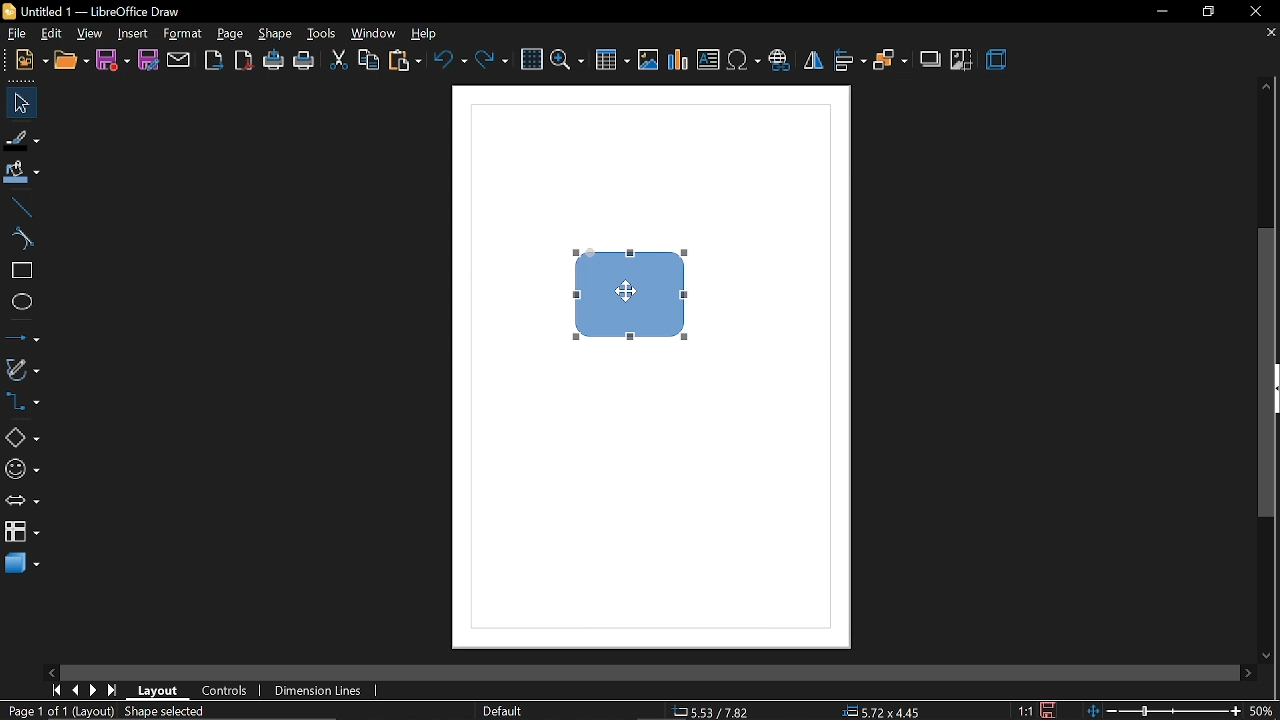  Describe the element at coordinates (1256, 11) in the screenshot. I see `close` at that location.